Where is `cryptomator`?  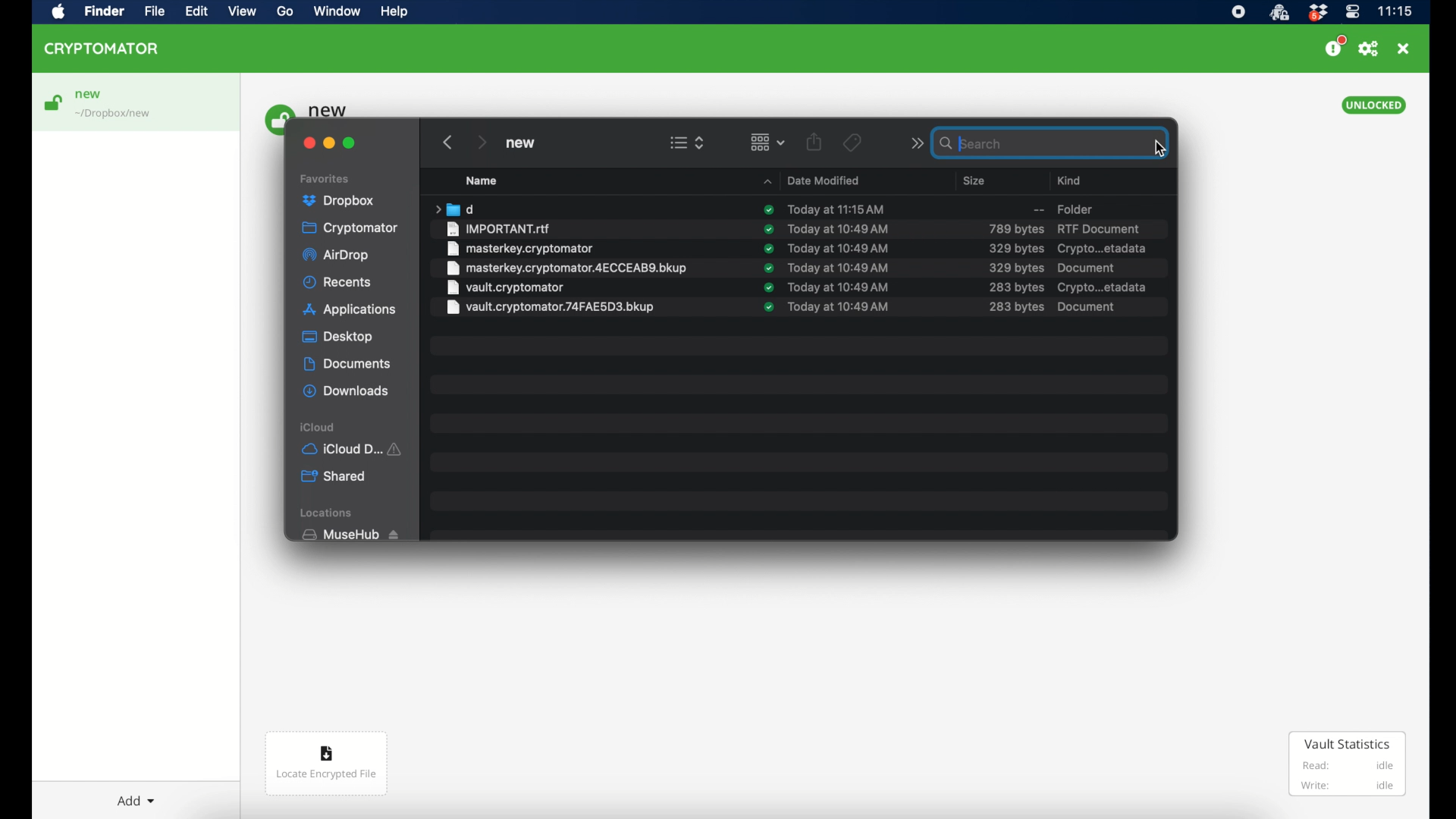
cryptomator is located at coordinates (102, 49).